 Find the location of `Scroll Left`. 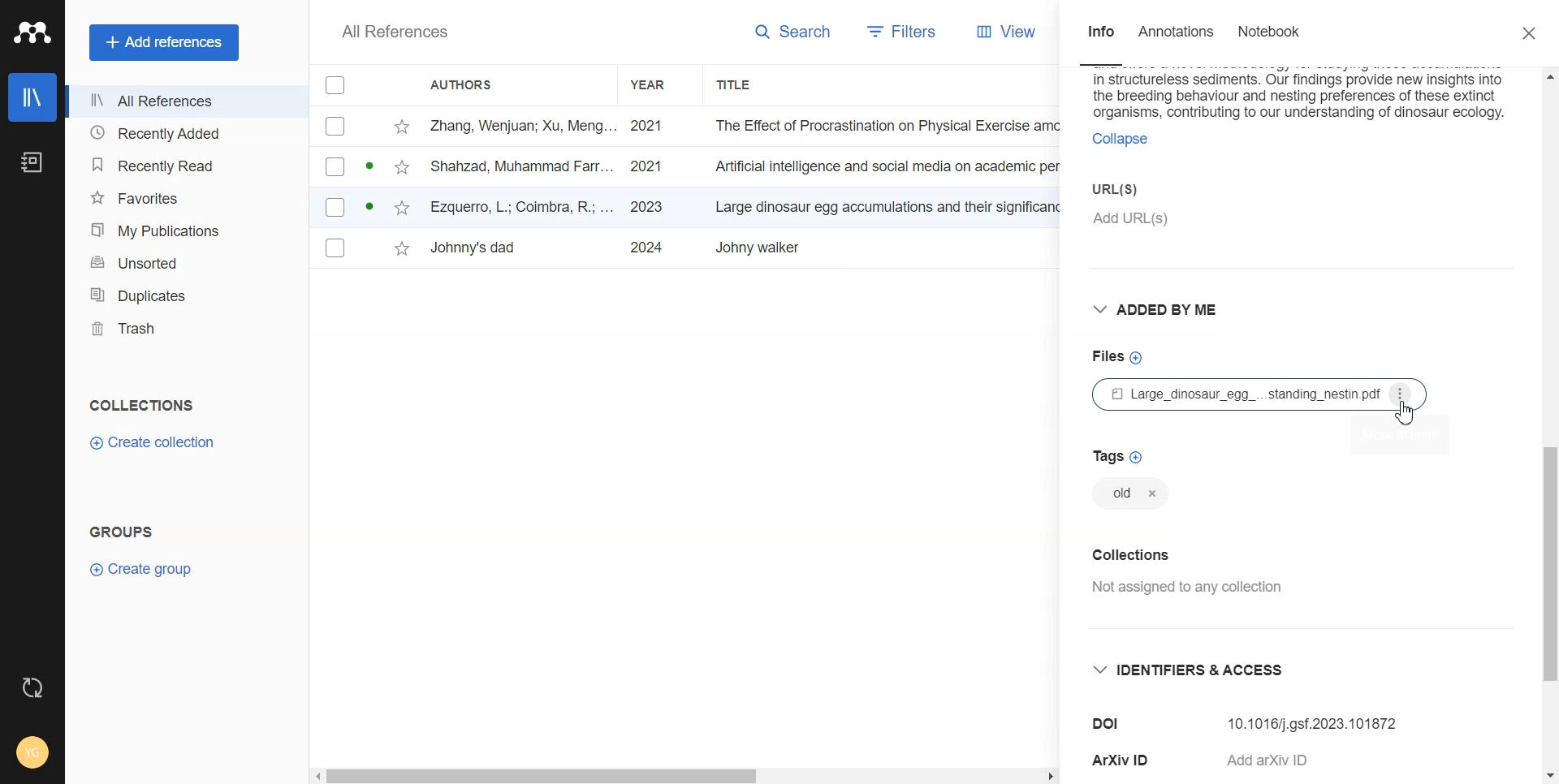

Scroll Left is located at coordinates (315, 776).